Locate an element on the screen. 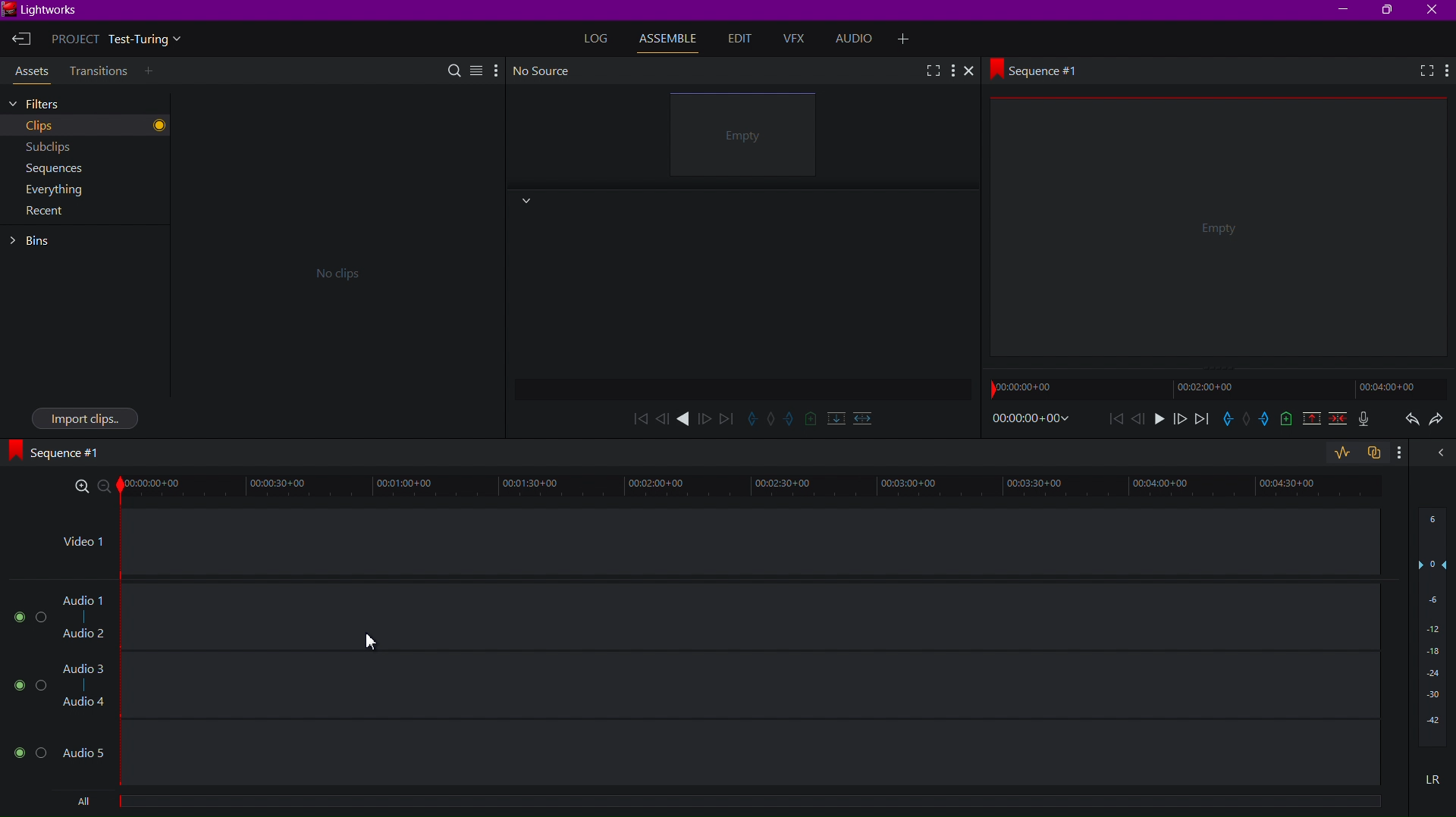  Clips is located at coordinates (61, 126).